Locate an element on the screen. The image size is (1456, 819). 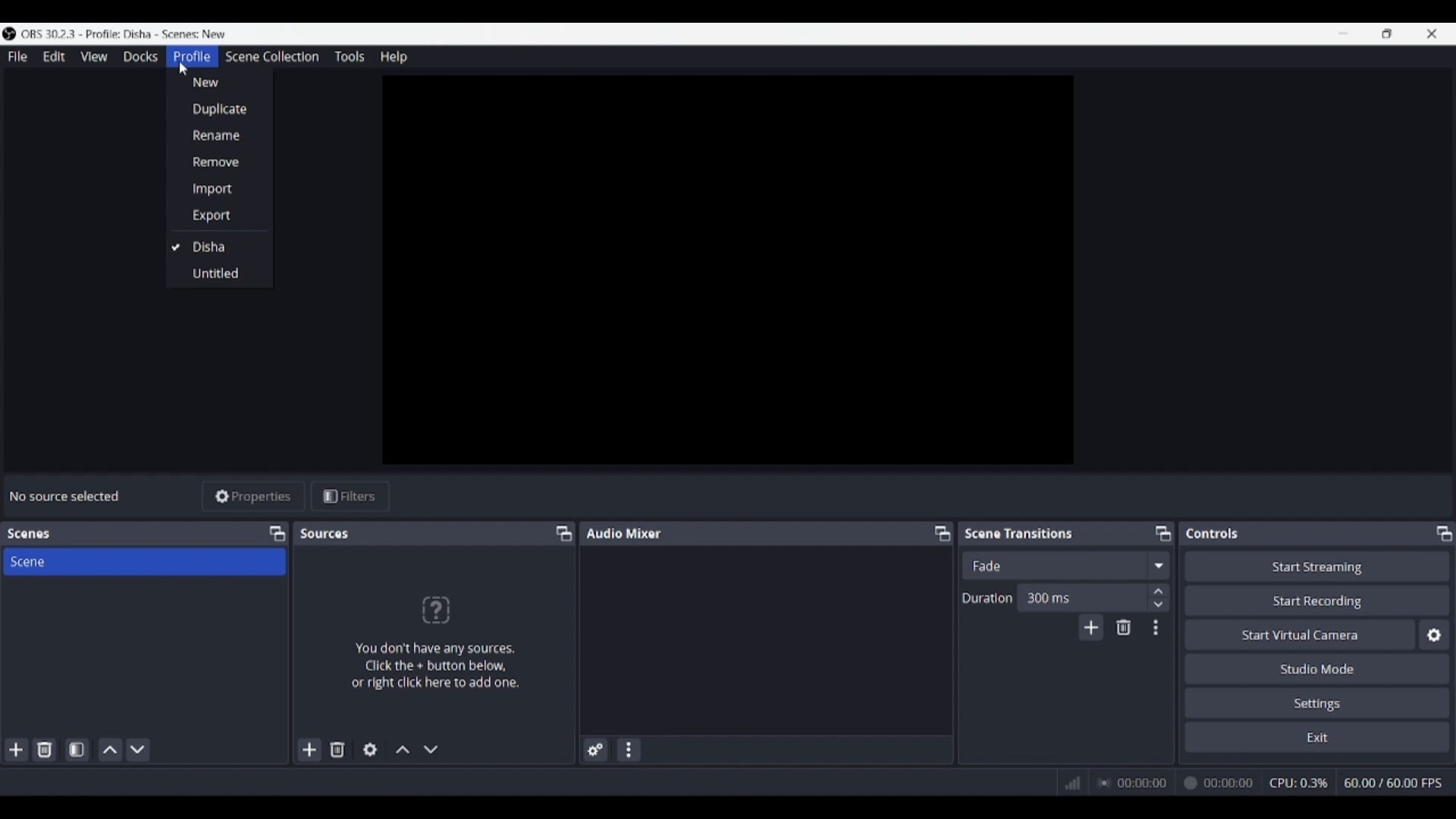
Close interface is located at coordinates (1432, 33).